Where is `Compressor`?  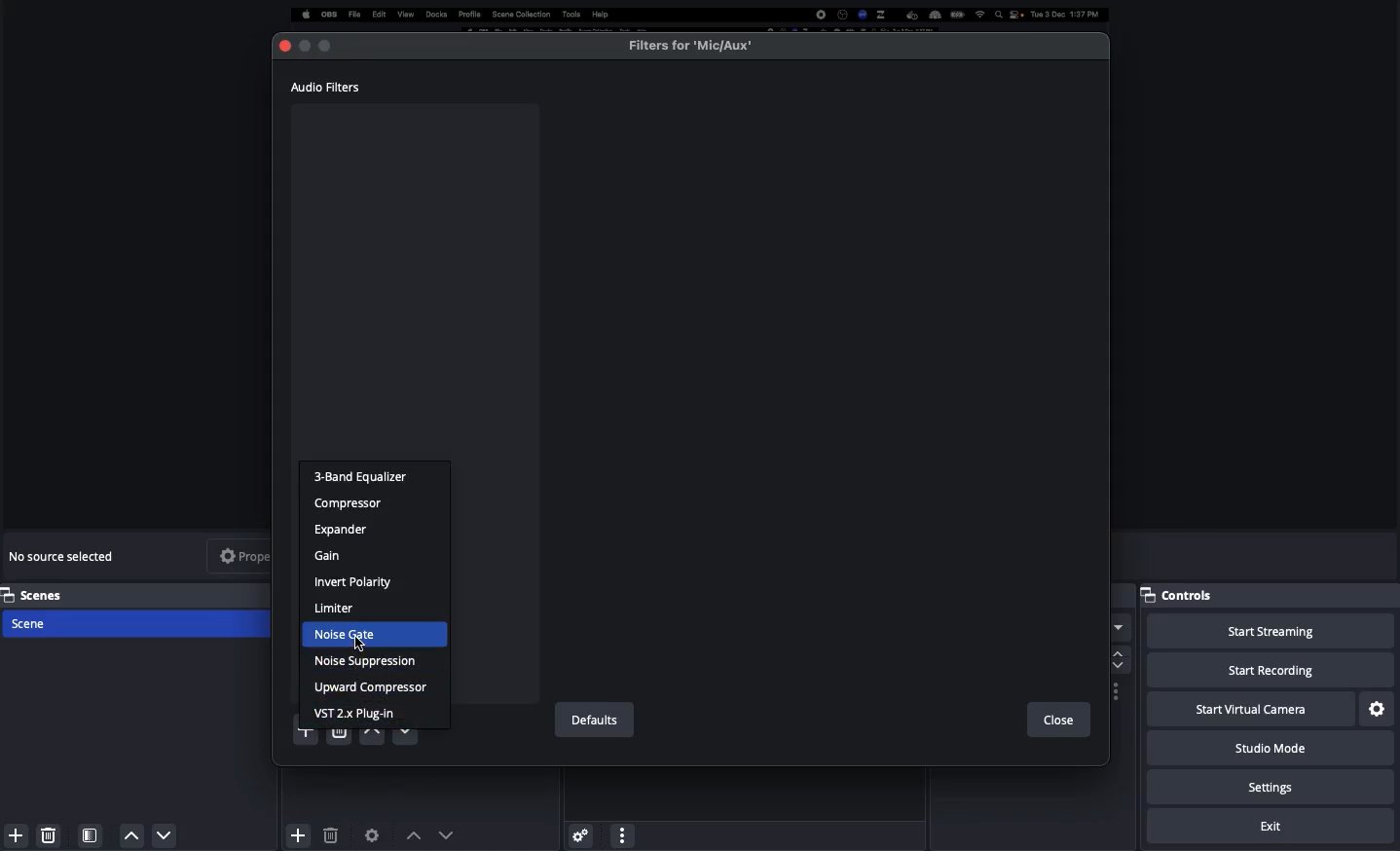 Compressor is located at coordinates (354, 503).